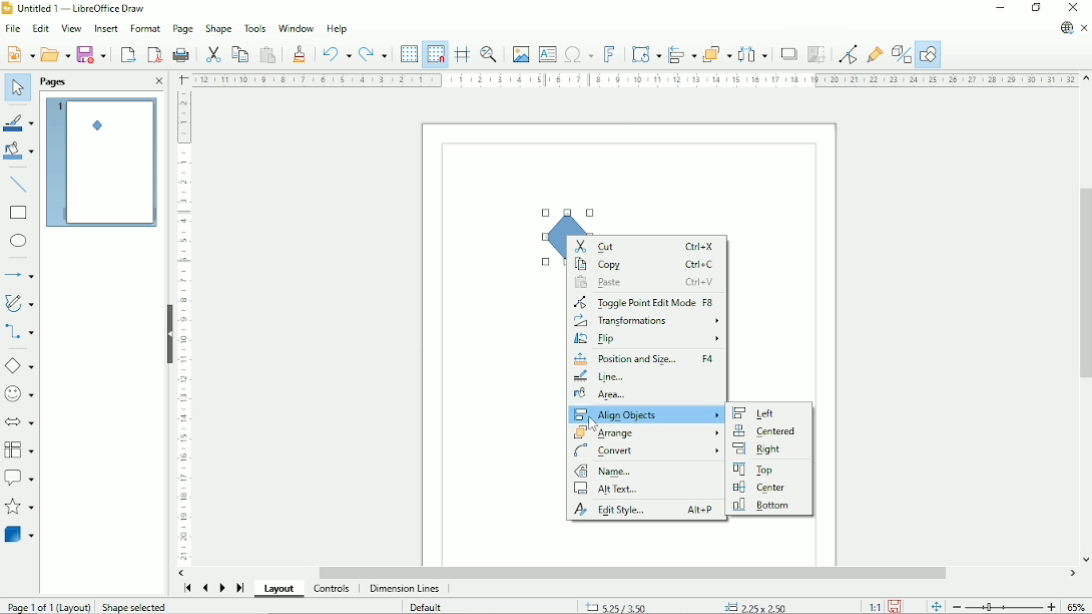 The height and width of the screenshot is (614, 1092). I want to click on Curves and polygons, so click(20, 302).